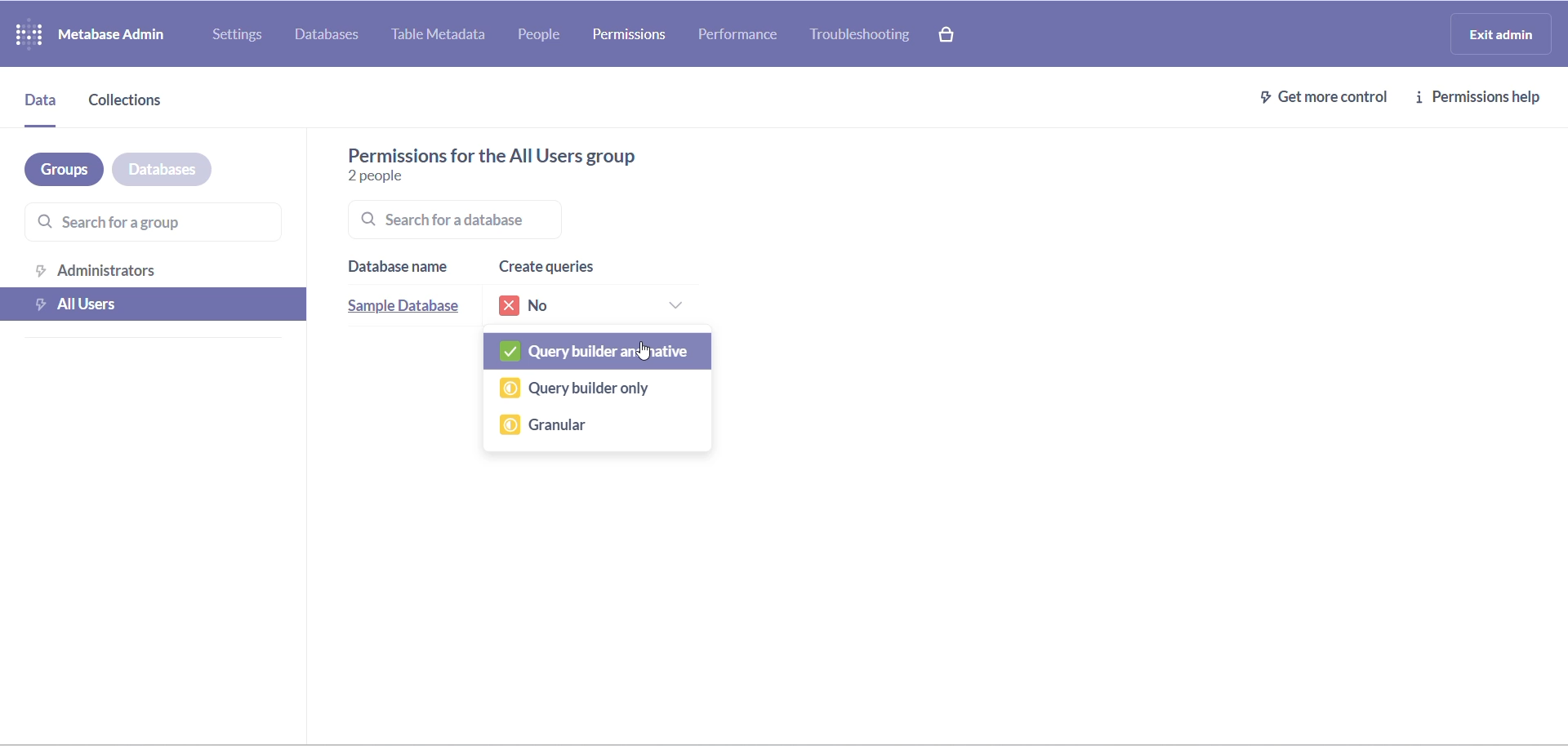  I want to click on get more control, so click(1314, 100).